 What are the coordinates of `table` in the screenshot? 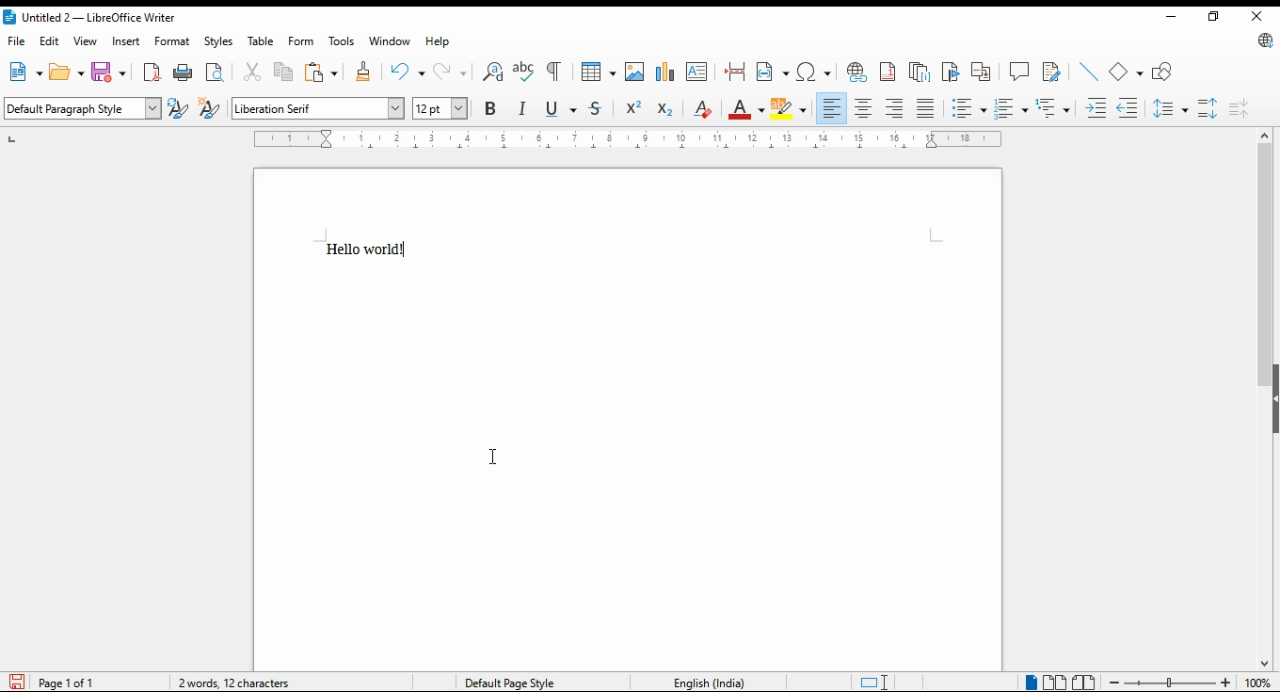 It's located at (261, 40).